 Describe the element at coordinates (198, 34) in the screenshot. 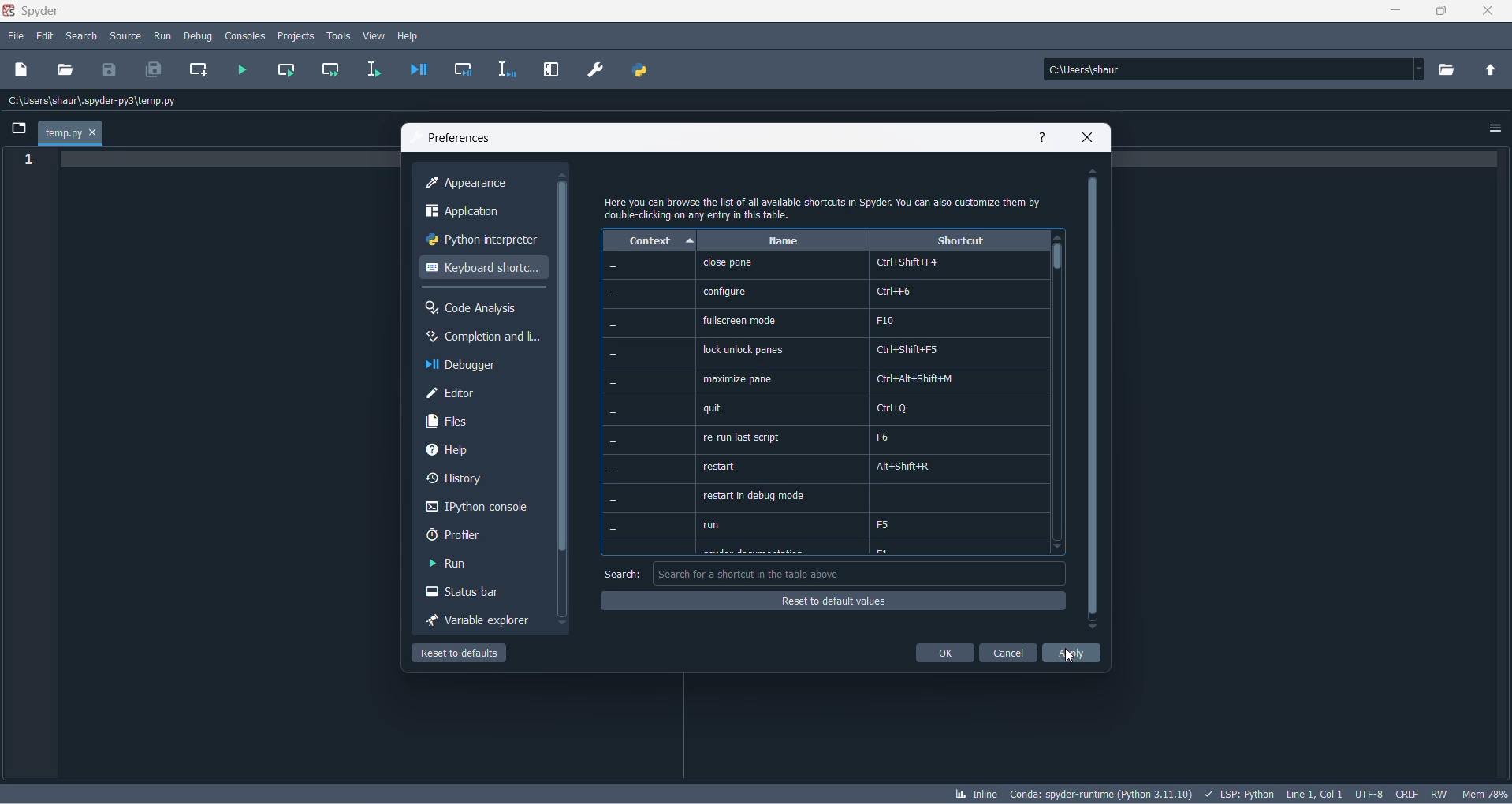

I see `debug` at that location.